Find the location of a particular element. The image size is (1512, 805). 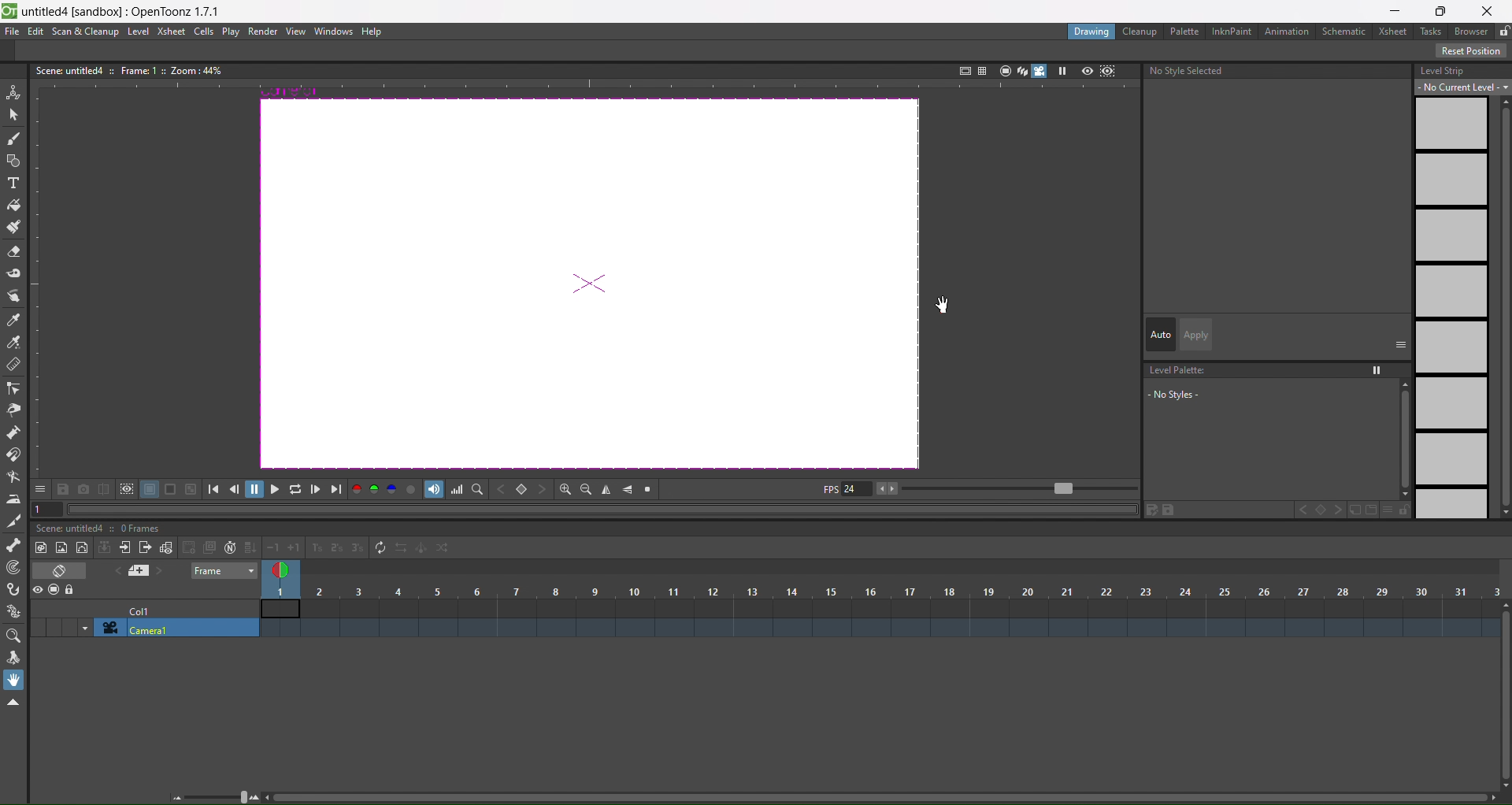

scan & cleanup is located at coordinates (86, 32).